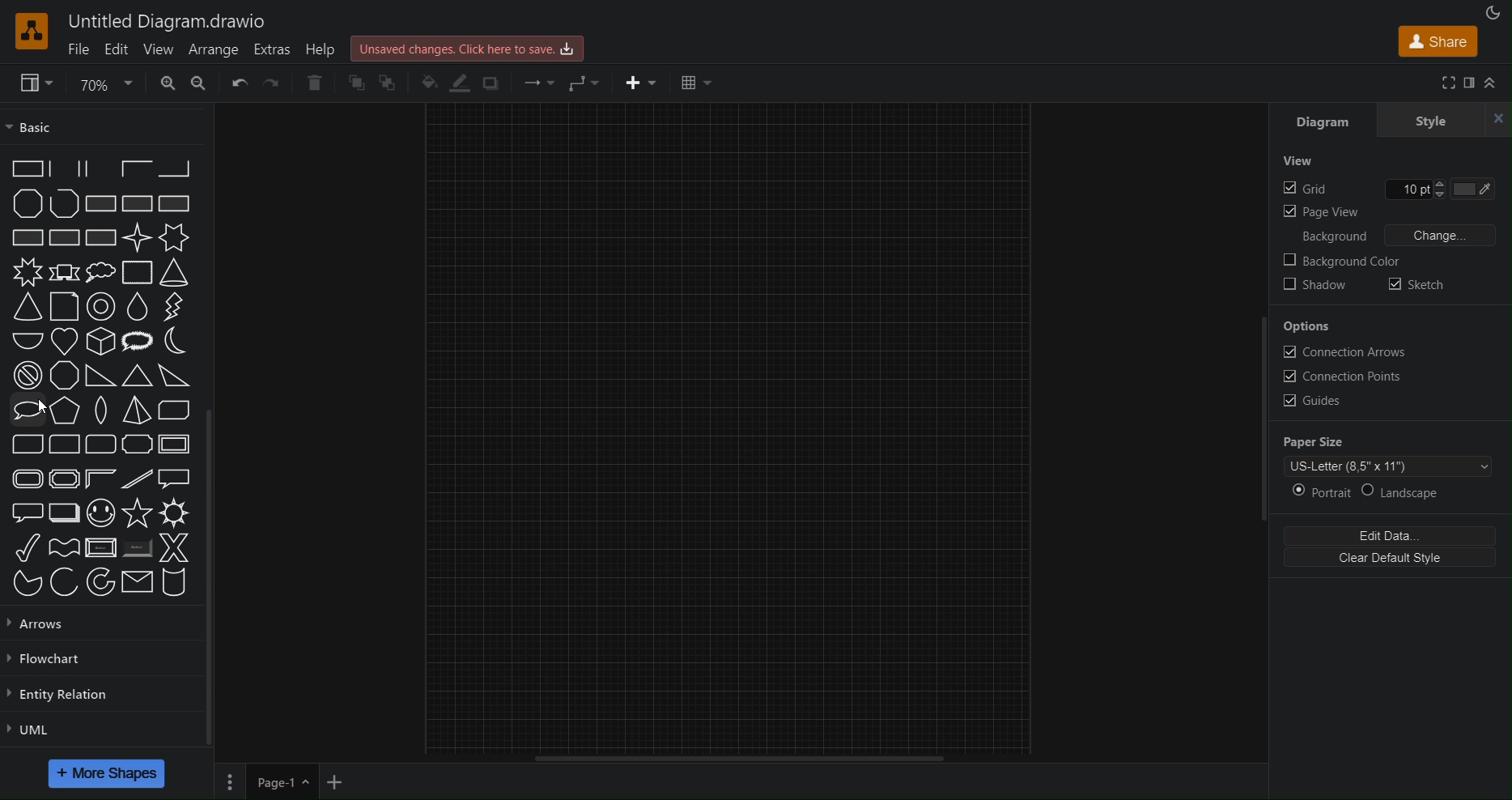 This screenshot has width=1512, height=800. Describe the element at coordinates (174, 377) in the screenshot. I see `Obtuse Triangle` at that location.